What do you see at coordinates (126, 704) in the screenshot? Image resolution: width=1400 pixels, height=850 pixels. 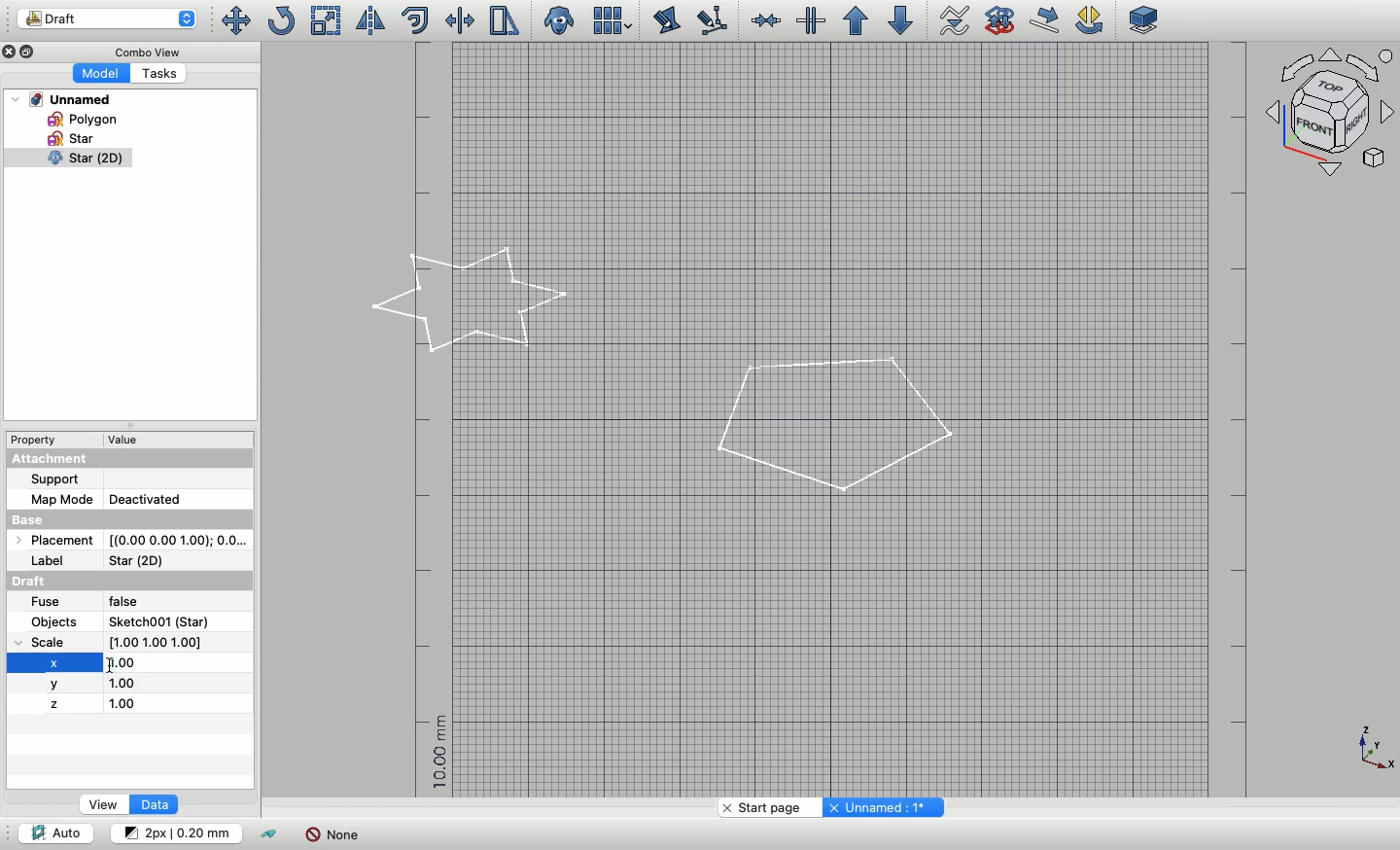 I see `1` at bounding box center [126, 704].